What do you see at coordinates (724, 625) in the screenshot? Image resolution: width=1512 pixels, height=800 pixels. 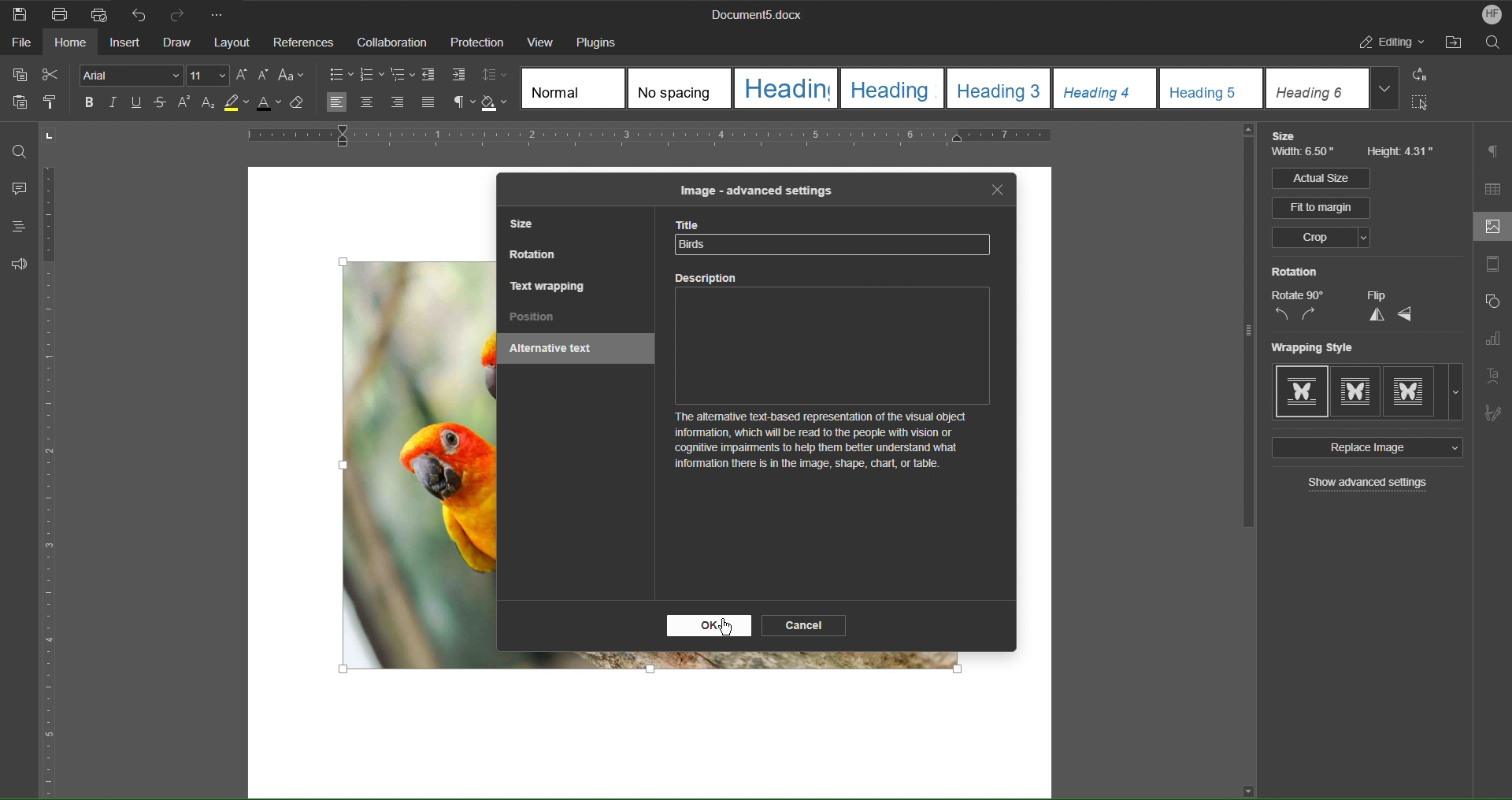 I see `Cursor` at bounding box center [724, 625].